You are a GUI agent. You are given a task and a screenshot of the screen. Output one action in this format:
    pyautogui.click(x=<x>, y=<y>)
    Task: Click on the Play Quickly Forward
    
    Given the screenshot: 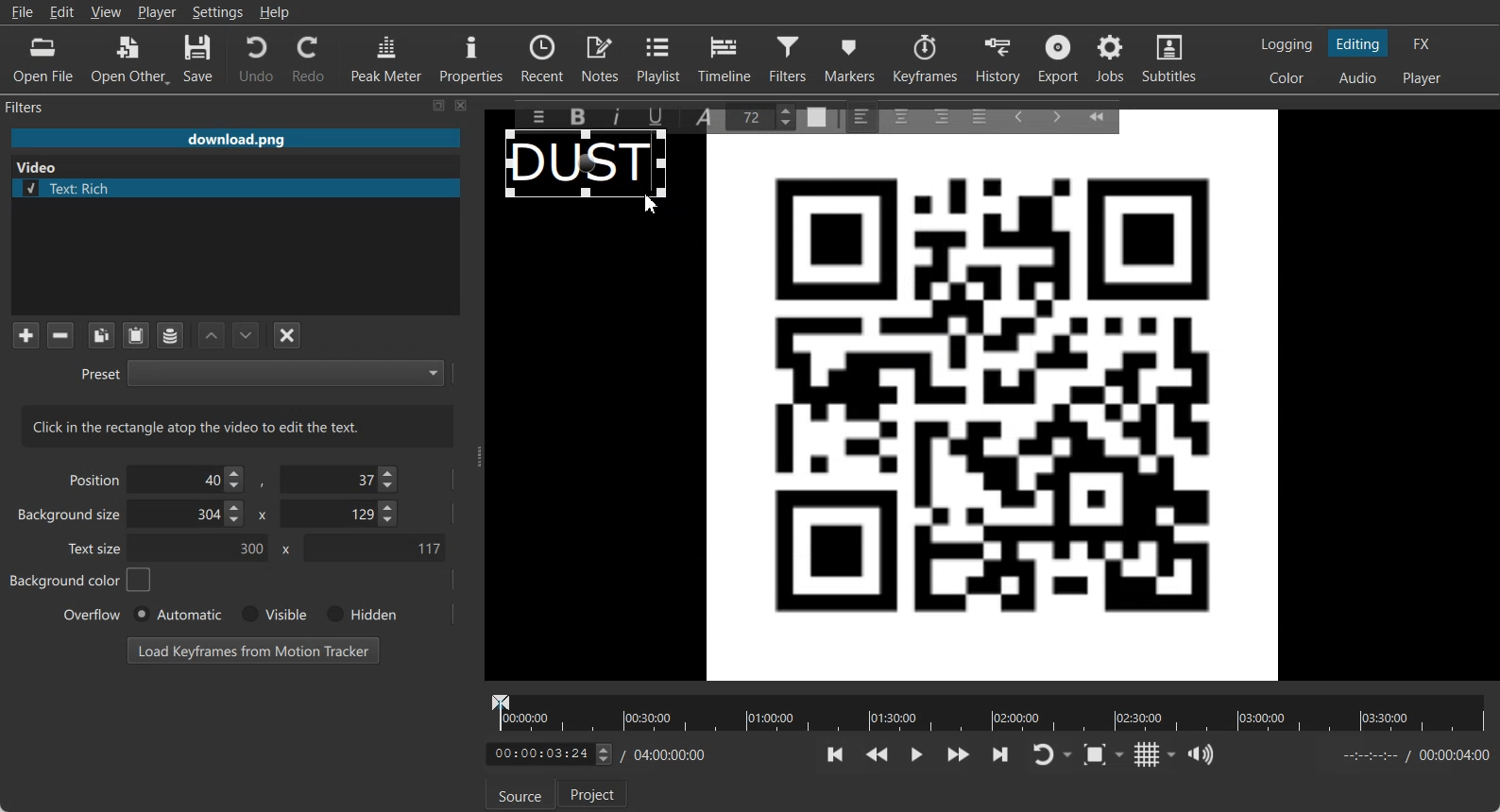 What is the action you would take?
    pyautogui.click(x=959, y=754)
    